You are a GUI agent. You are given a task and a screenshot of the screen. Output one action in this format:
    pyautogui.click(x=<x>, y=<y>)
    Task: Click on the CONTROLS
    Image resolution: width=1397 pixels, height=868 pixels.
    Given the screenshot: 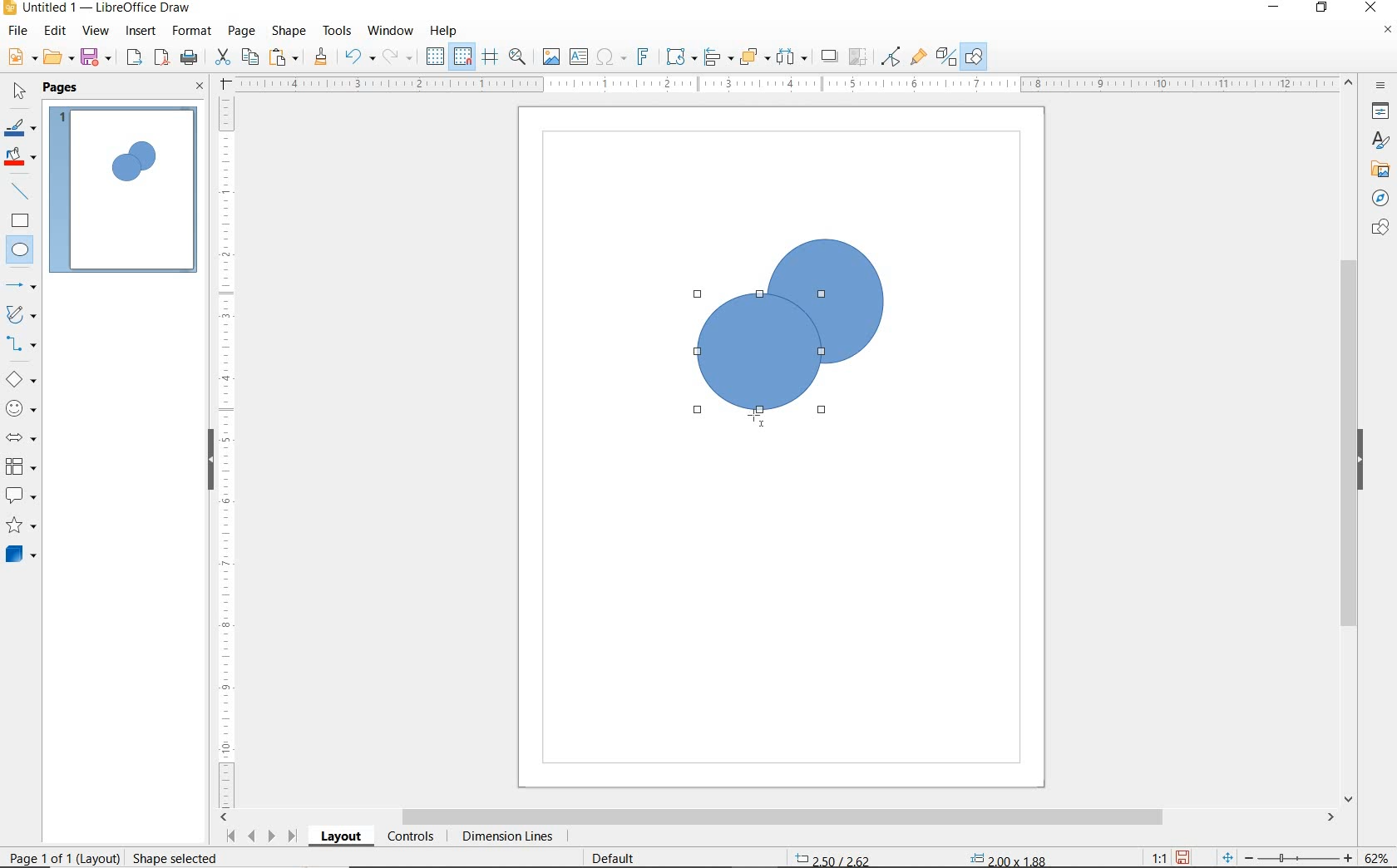 What is the action you would take?
    pyautogui.click(x=412, y=838)
    